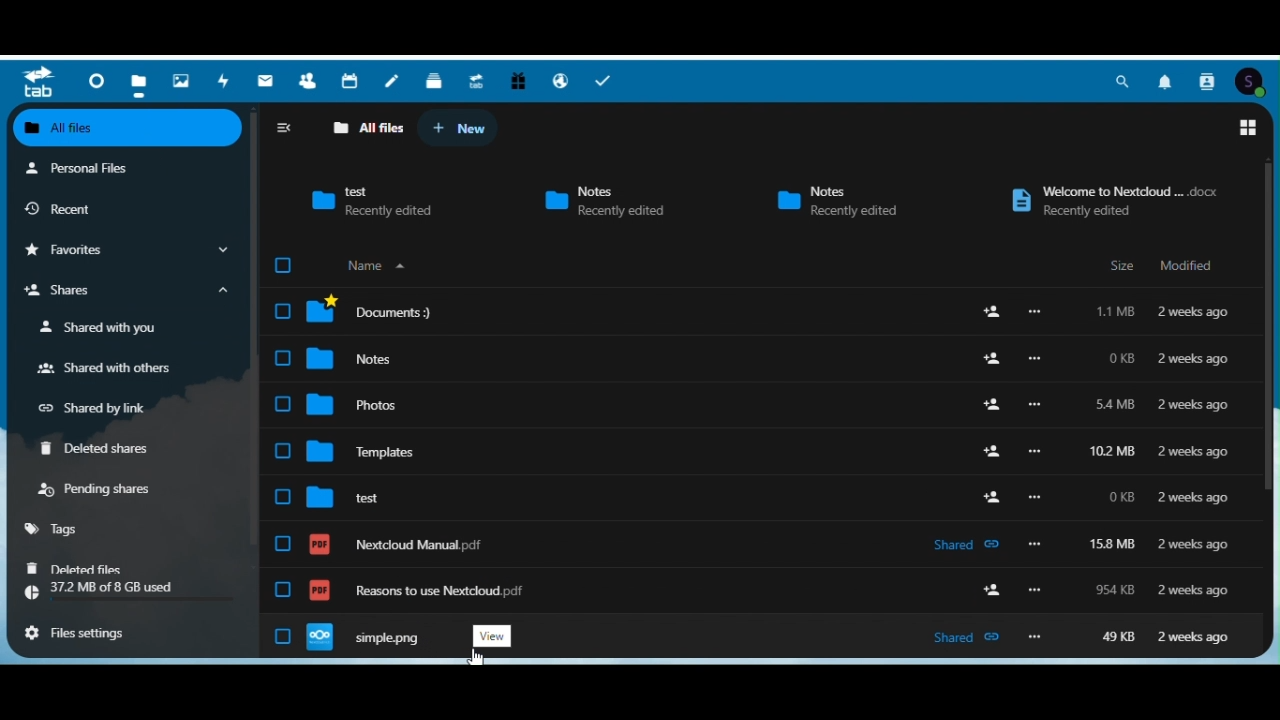 This screenshot has width=1280, height=720. What do you see at coordinates (1034, 358) in the screenshot?
I see `options` at bounding box center [1034, 358].